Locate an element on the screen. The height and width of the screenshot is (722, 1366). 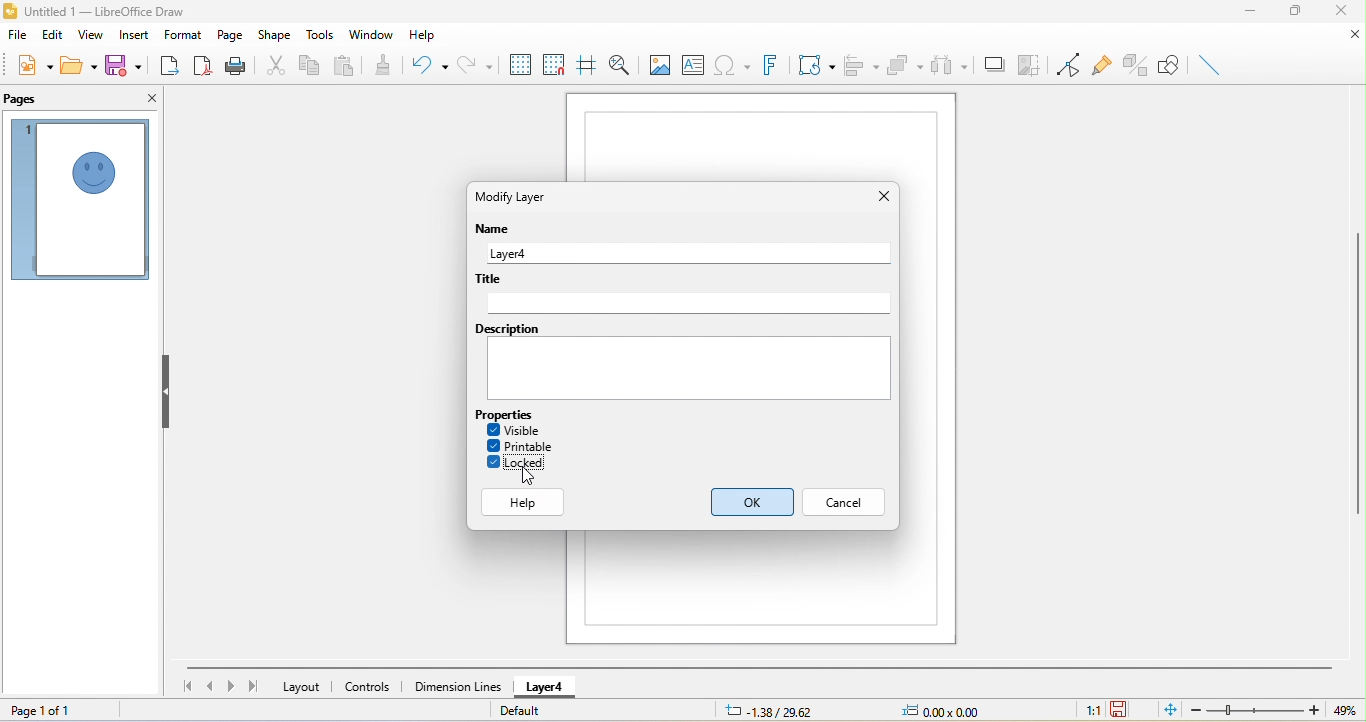
shadow is located at coordinates (993, 64).